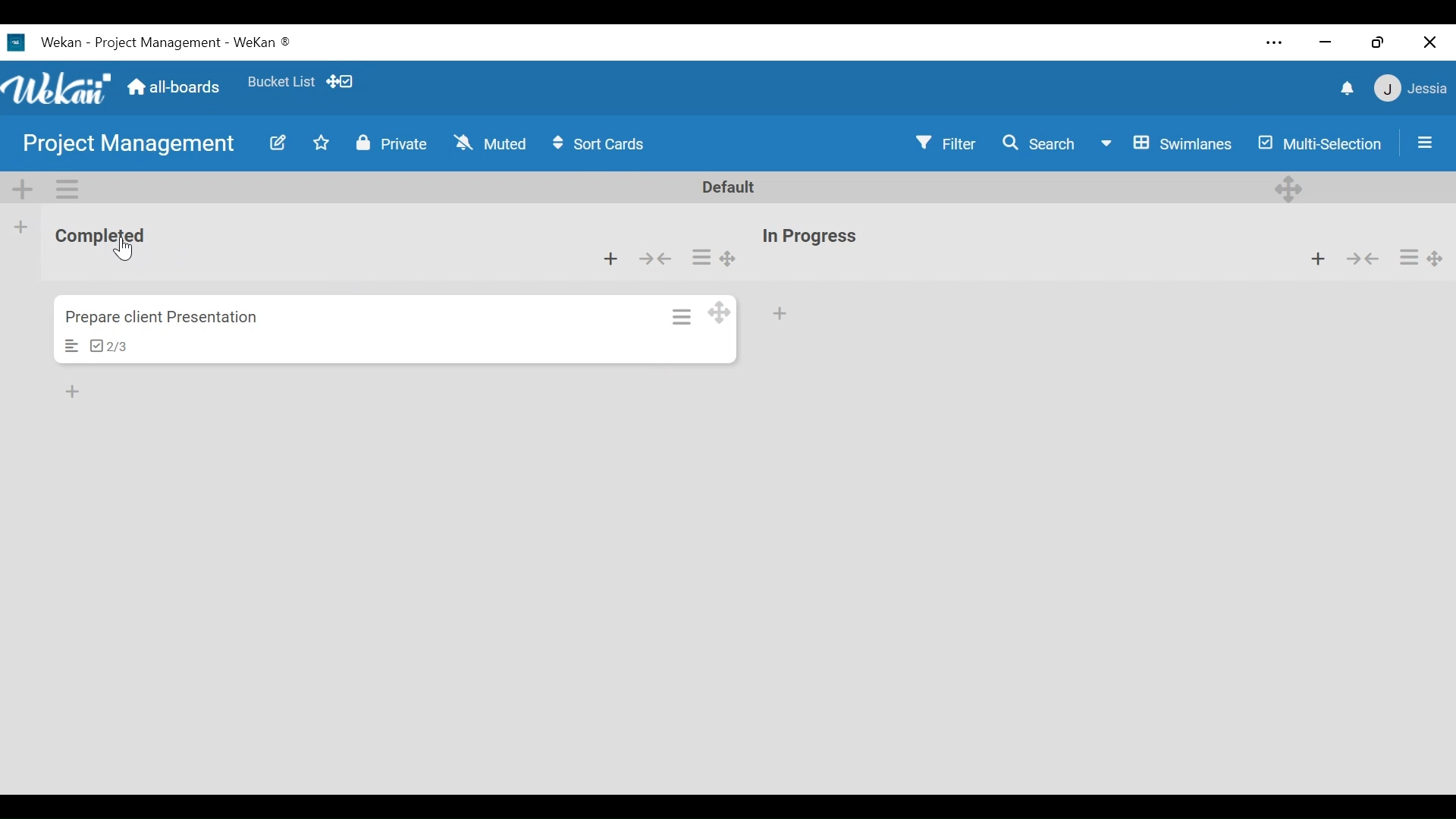 Image resolution: width=1456 pixels, height=819 pixels. Describe the element at coordinates (1436, 260) in the screenshot. I see `Desktop drag handles ` at that location.